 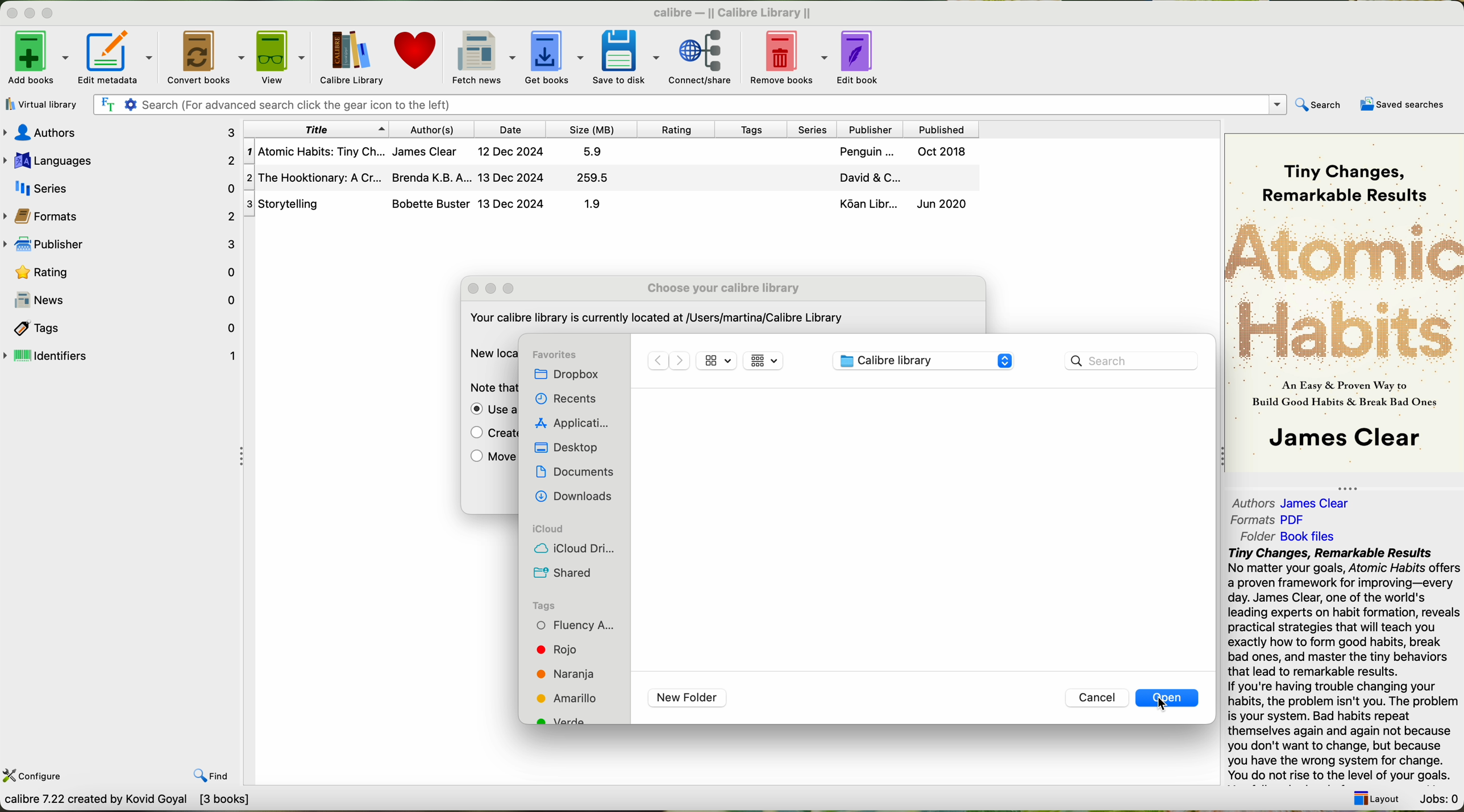 What do you see at coordinates (926, 361) in the screenshot?
I see `calibre library location` at bounding box center [926, 361].